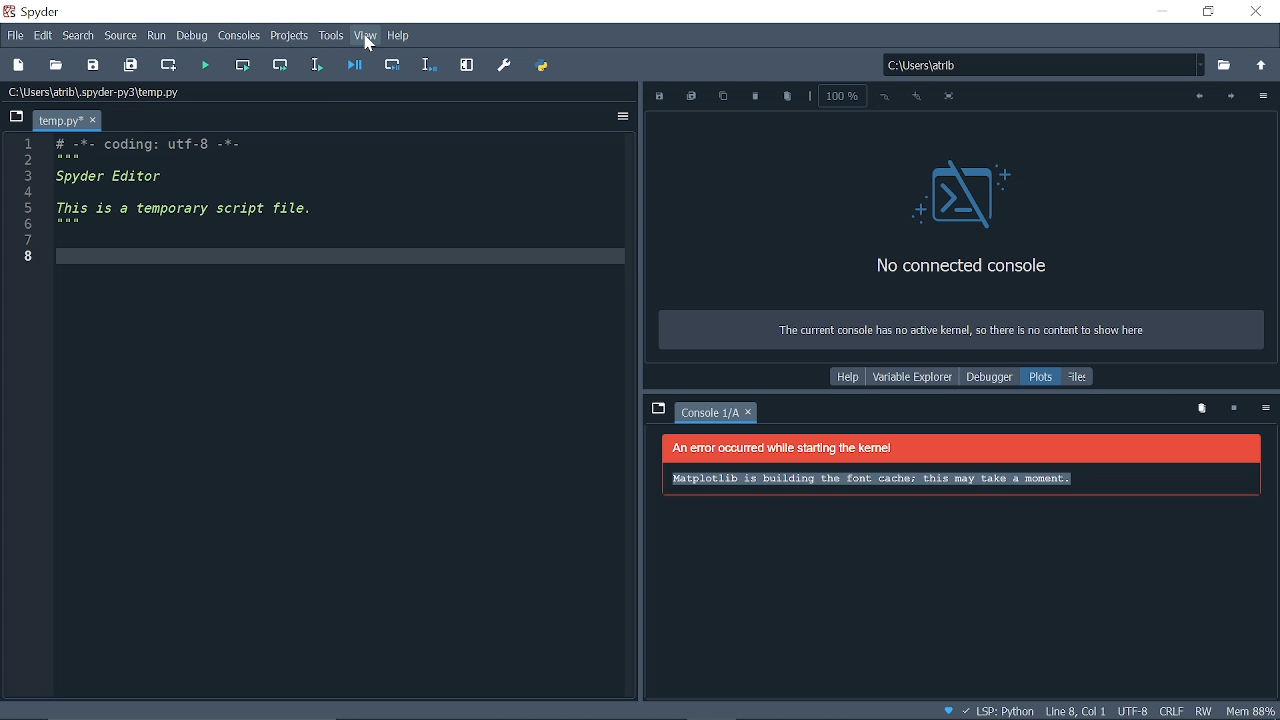  What do you see at coordinates (399, 36) in the screenshot?
I see `Help` at bounding box center [399, 36].